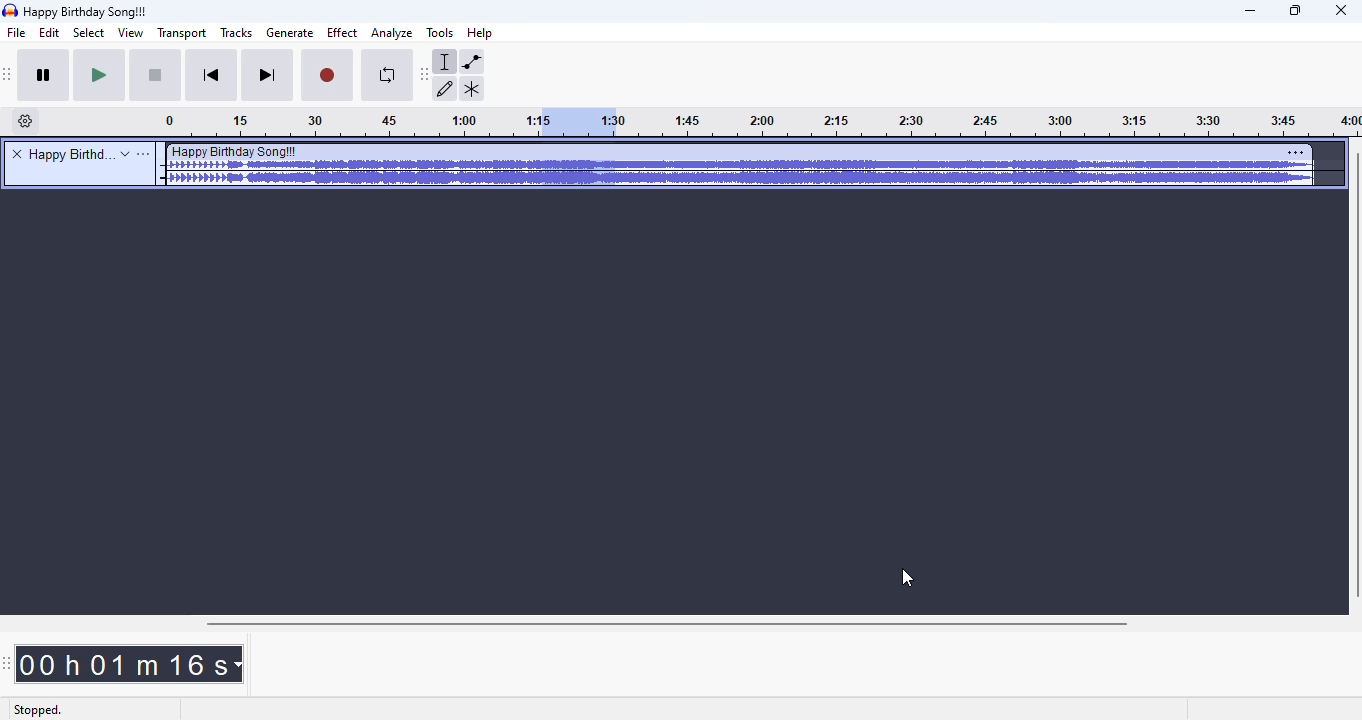 This screenshot has height=720, width=1362. I want to click on multi-tool, so click(472, 89).